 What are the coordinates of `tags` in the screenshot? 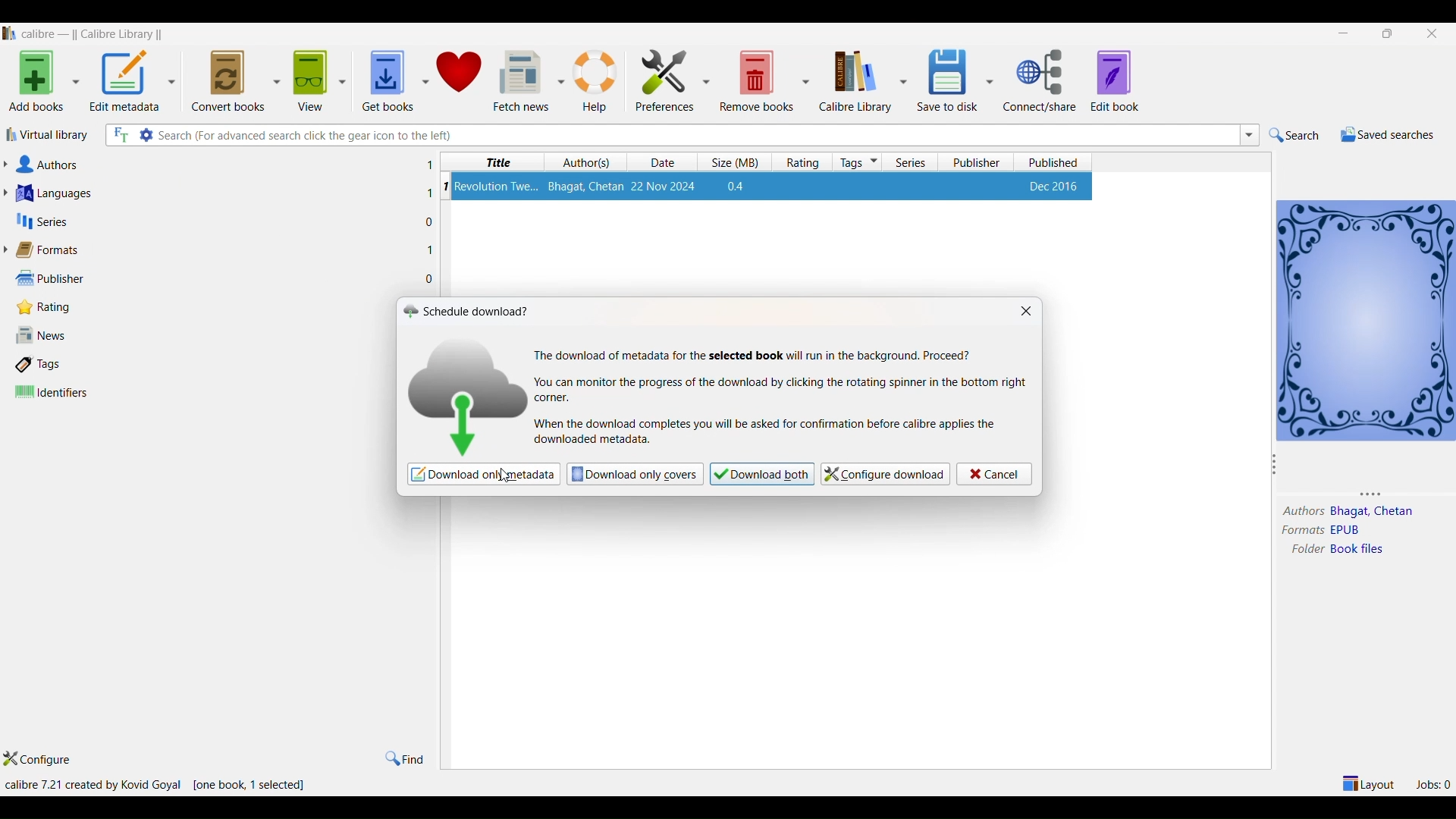 It's located at (858, 162).